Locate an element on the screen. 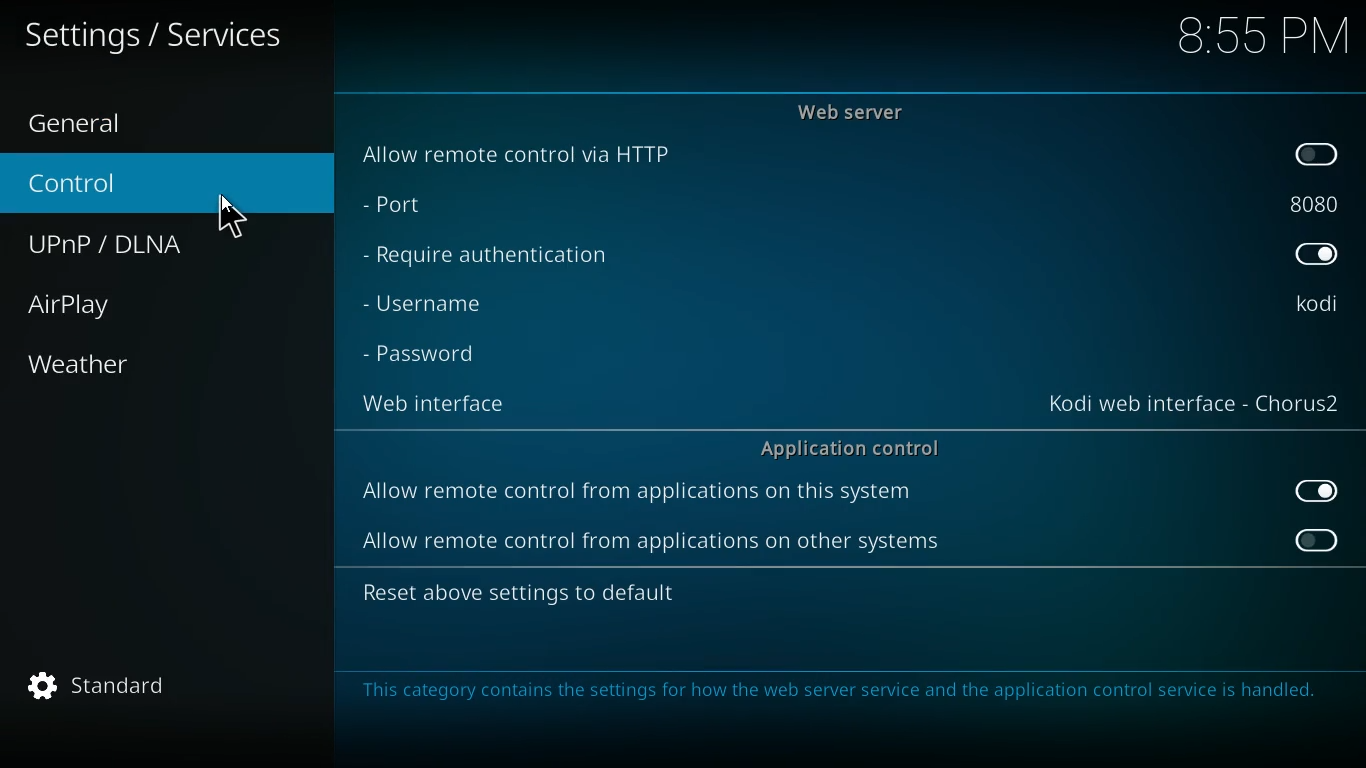 This screenshot has height=768, width=1366. reset is located at coordinates (547, 595).